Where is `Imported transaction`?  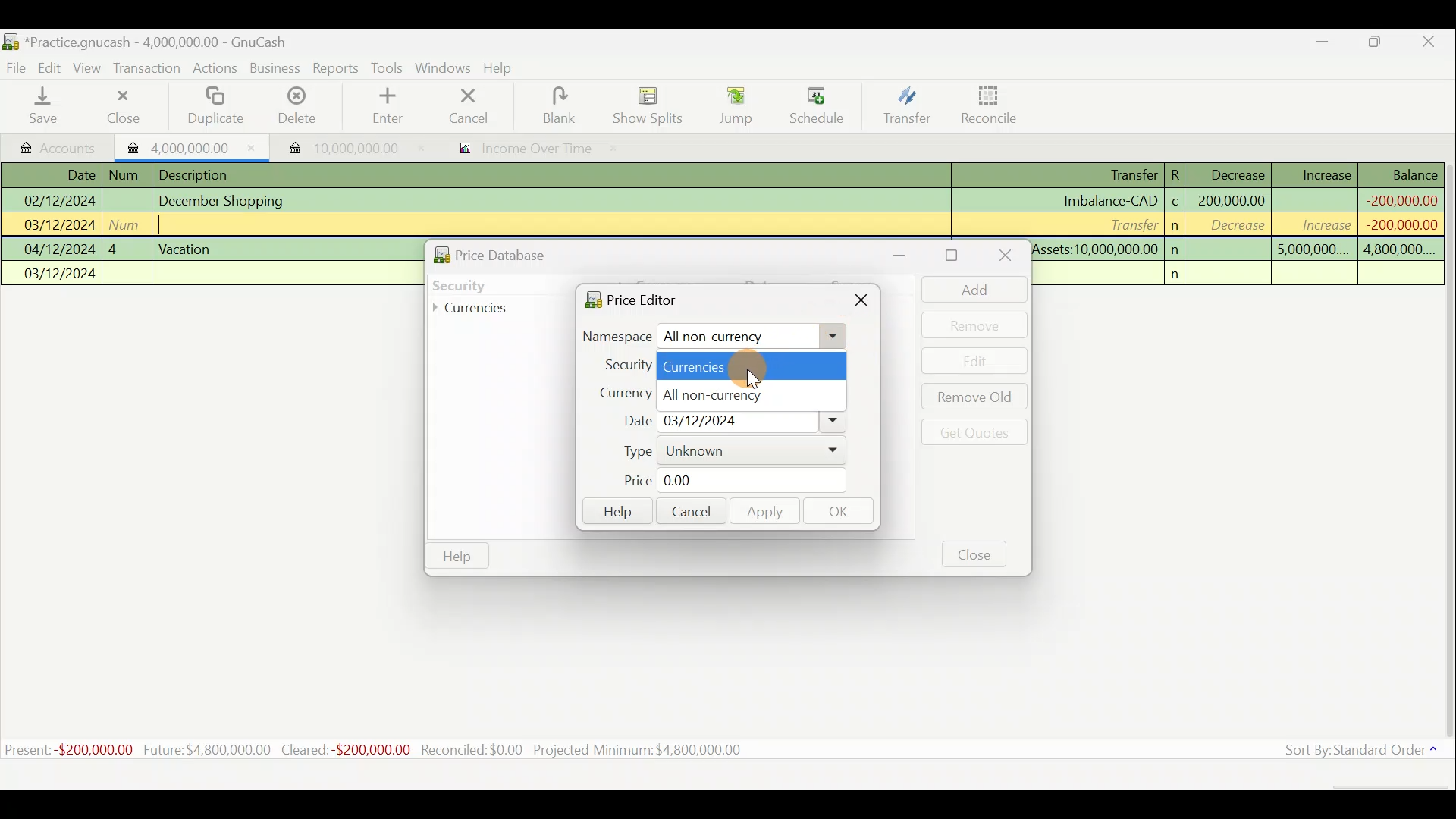
Imported transaction is located at coordinates (334, 144).